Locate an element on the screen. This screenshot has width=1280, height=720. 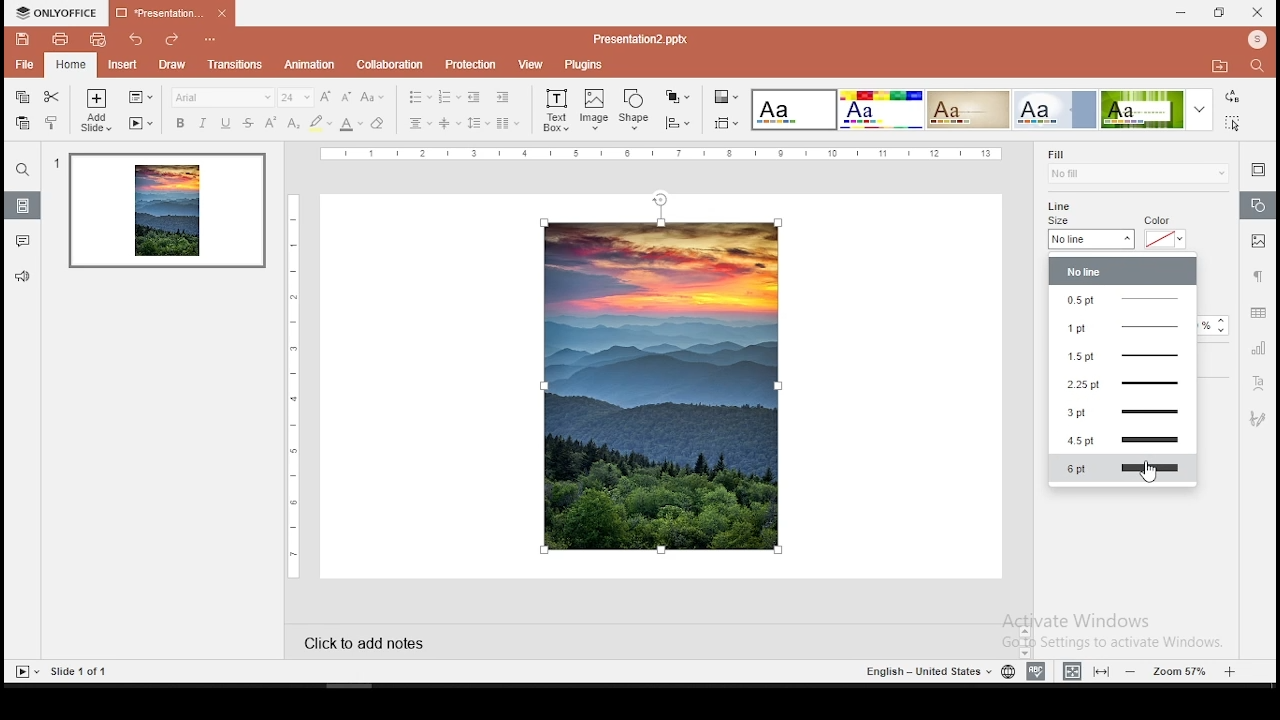
bold is located at coordinates (178, 123).